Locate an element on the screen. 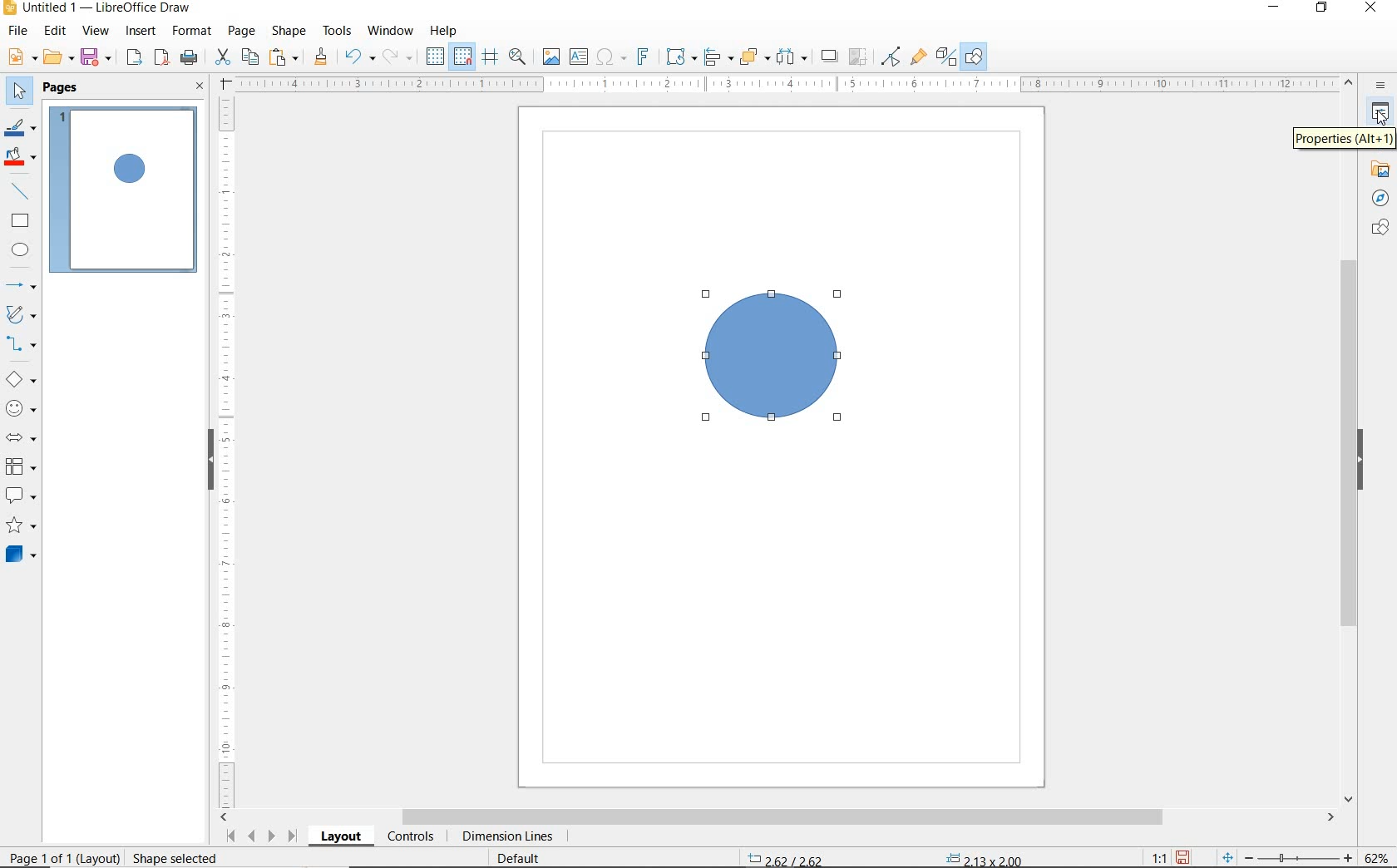 Image resolution: width=1397 pixels, height=868 pixels. PAGES is located at coordinates (62, 89).